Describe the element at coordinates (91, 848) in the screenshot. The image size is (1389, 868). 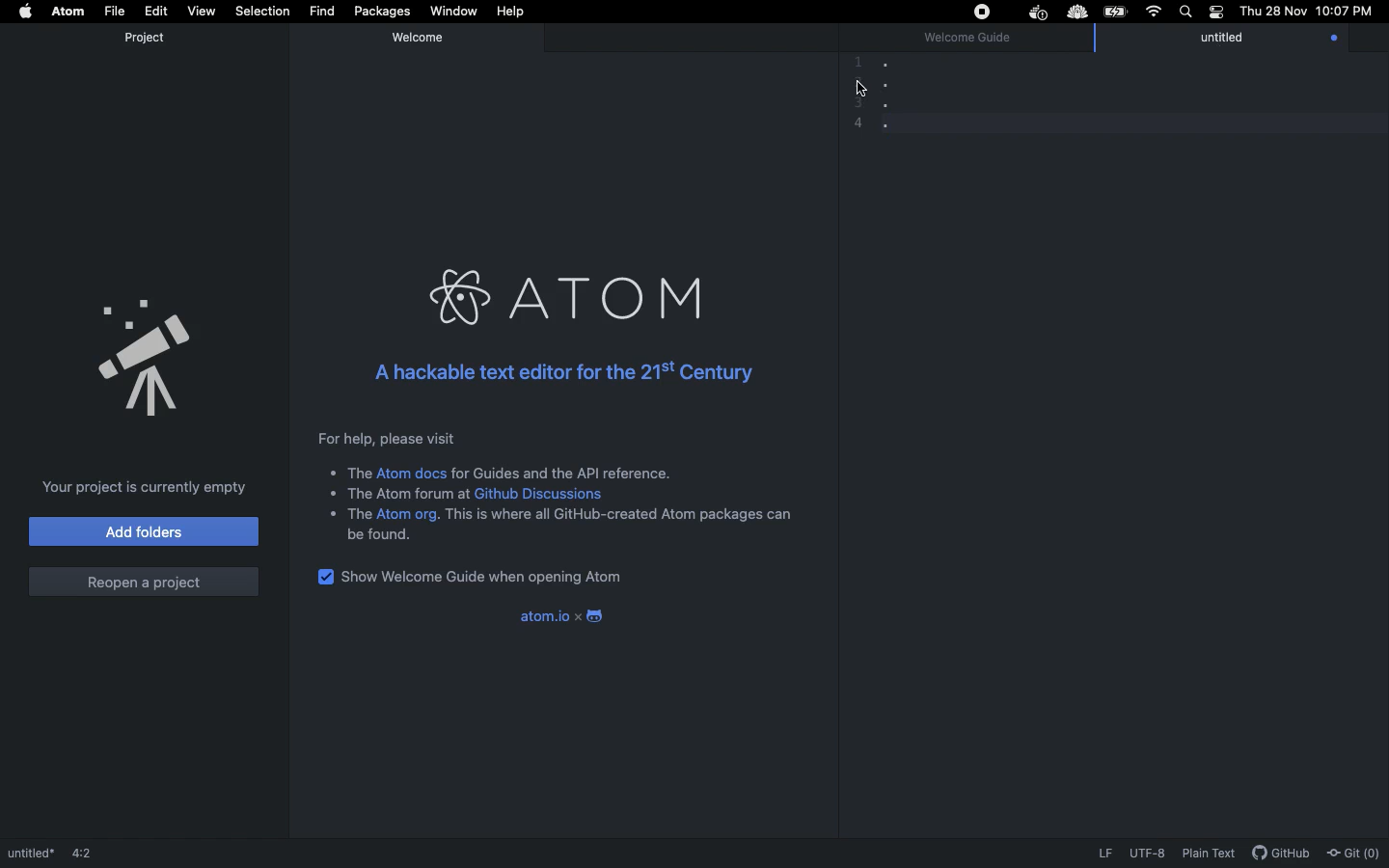
I see `4:2` at that location.